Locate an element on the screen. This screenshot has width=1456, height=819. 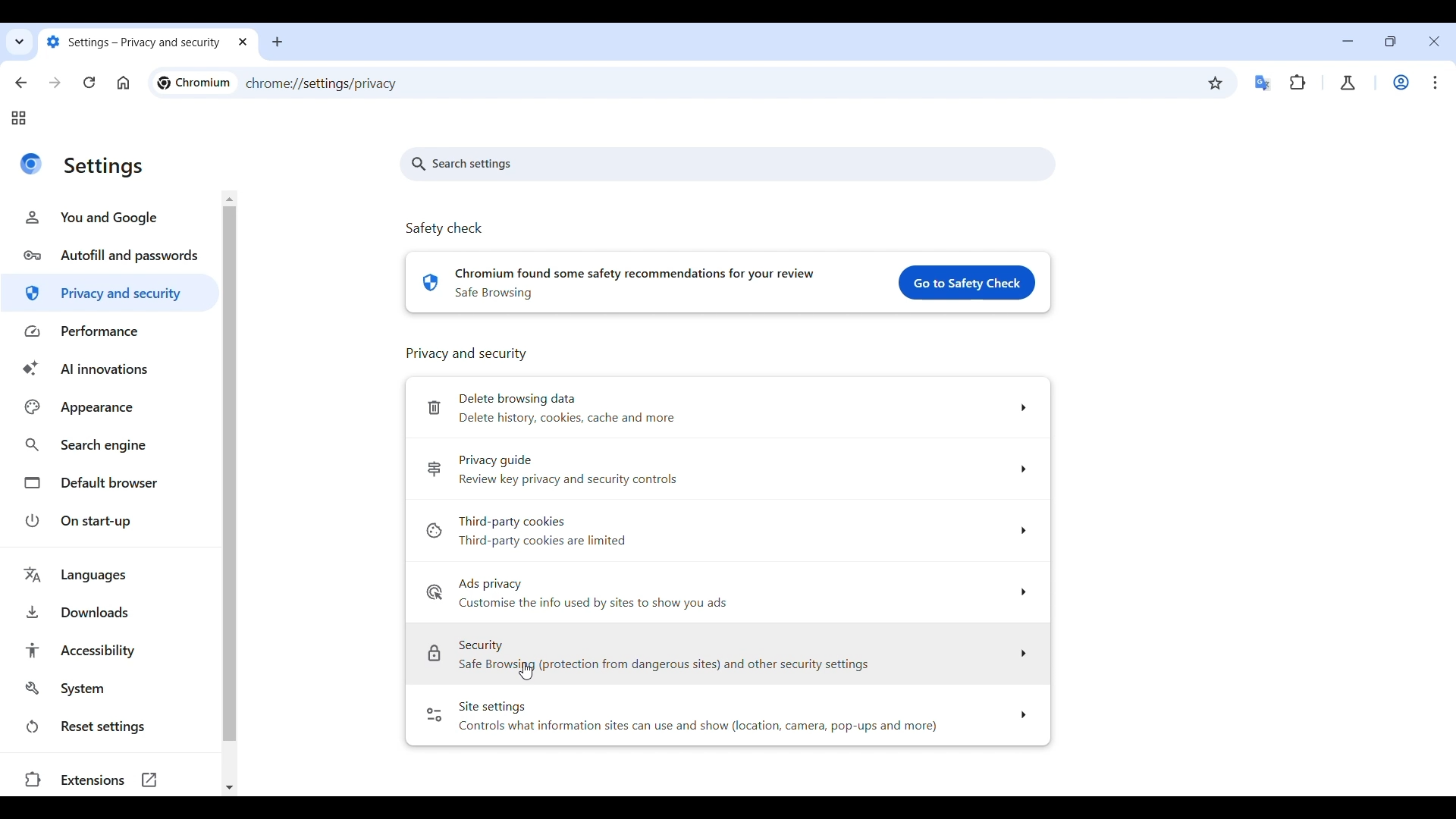
chromium is located at coordinates (193, 83).